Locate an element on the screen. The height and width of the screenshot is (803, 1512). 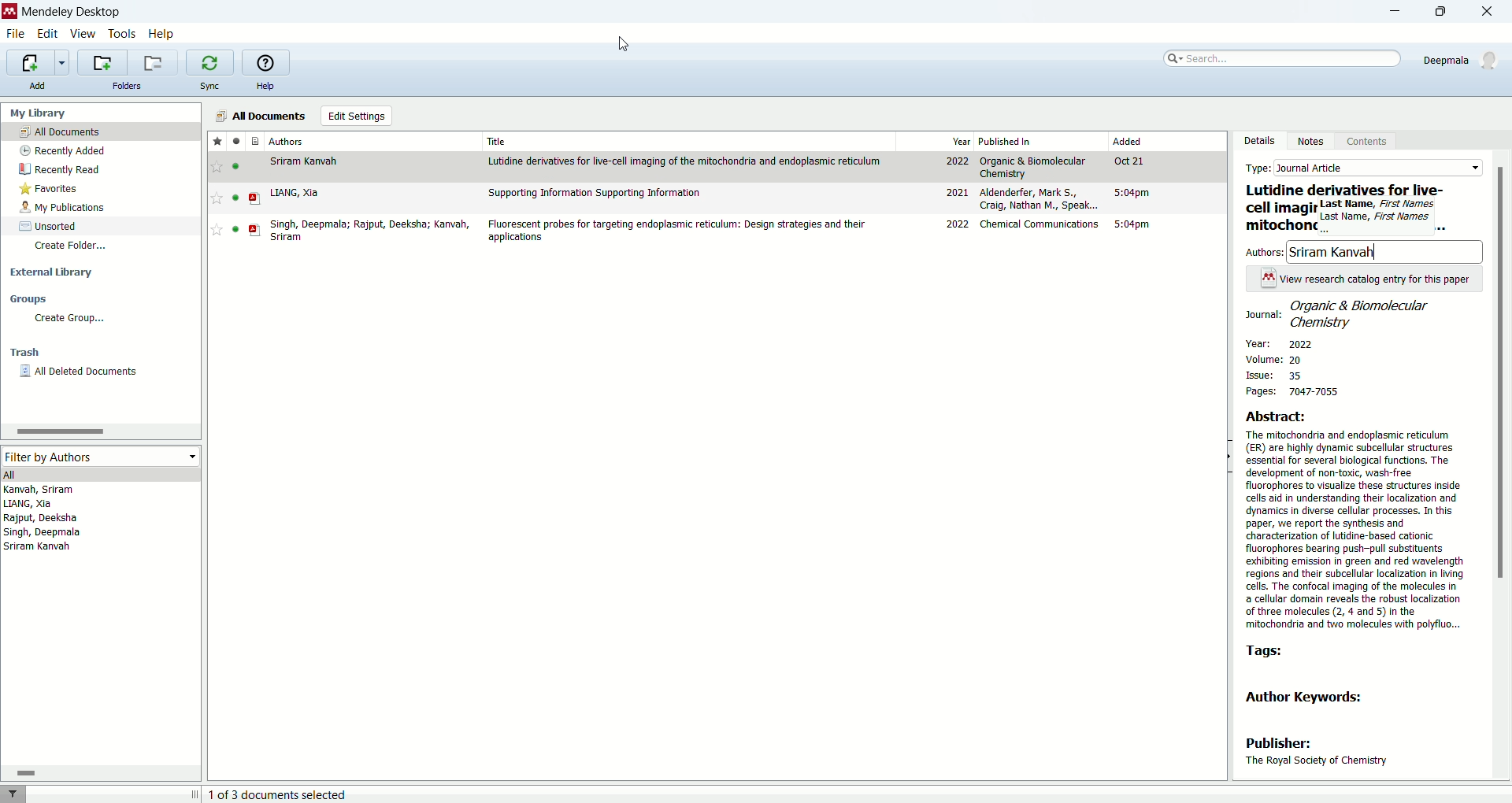
all deleted documents is located at coordinates (77, 371).